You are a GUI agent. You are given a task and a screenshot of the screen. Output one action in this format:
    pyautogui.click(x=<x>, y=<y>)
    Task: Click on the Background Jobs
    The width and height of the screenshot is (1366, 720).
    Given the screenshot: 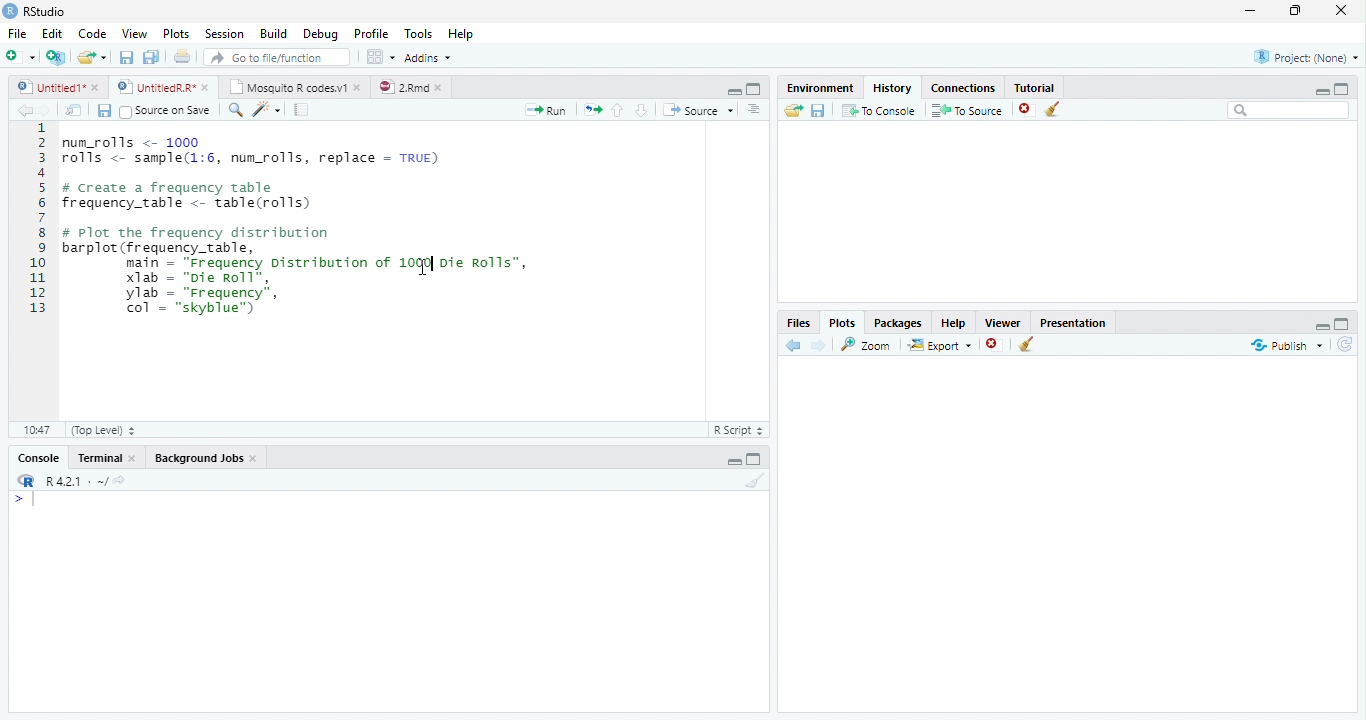 What is the action you would take?
    pyautogui.click(x=207, y=456)
    